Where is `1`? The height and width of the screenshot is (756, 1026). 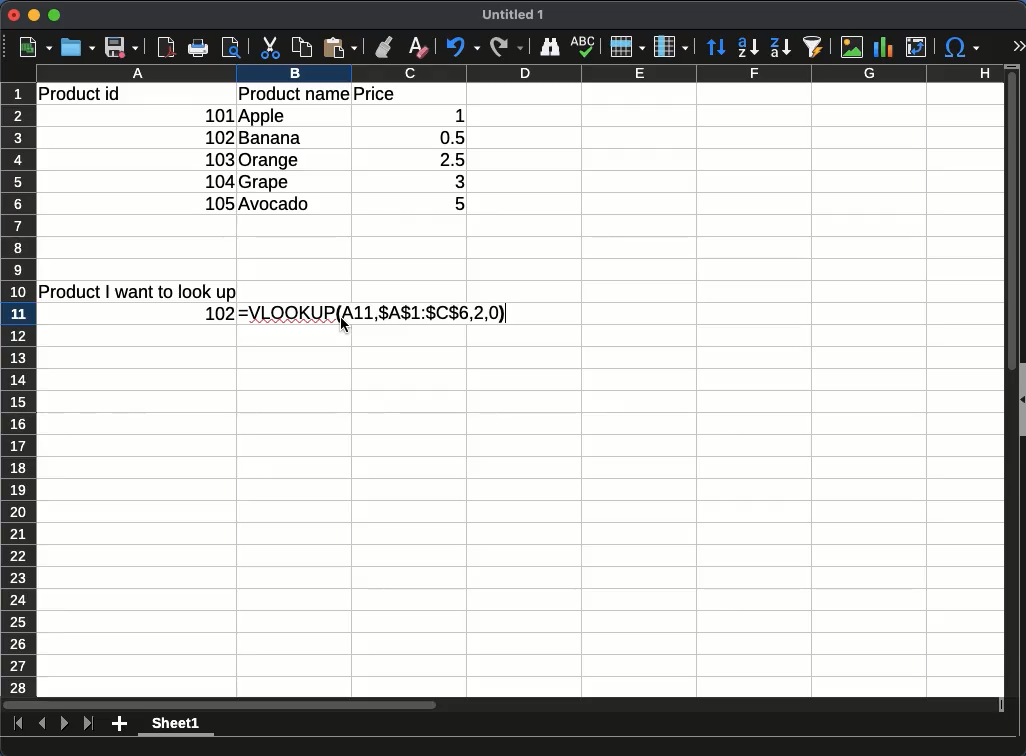 1 is located at coordinates (449, 116).